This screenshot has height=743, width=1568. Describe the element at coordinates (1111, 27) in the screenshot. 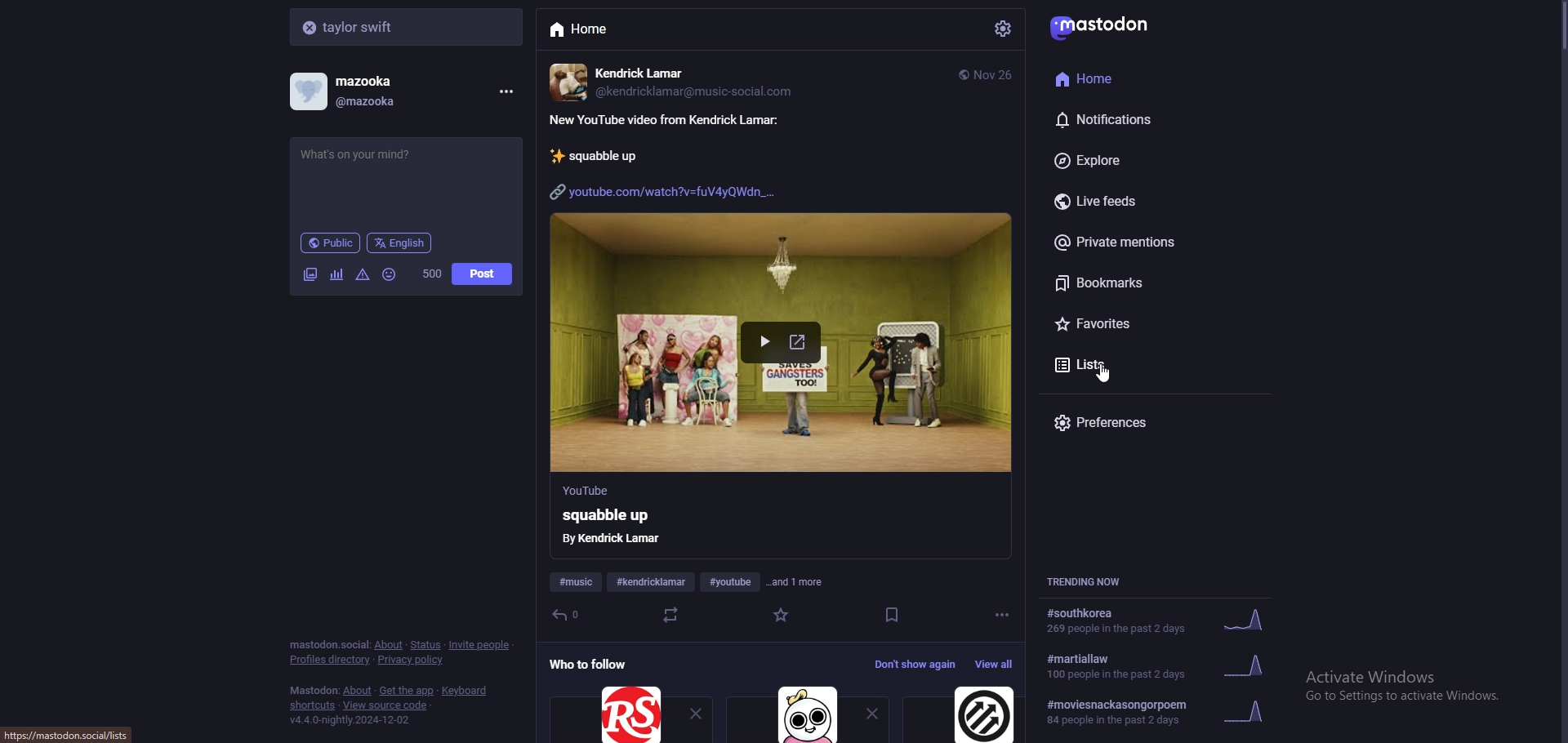

I see `mastodon` at that location.